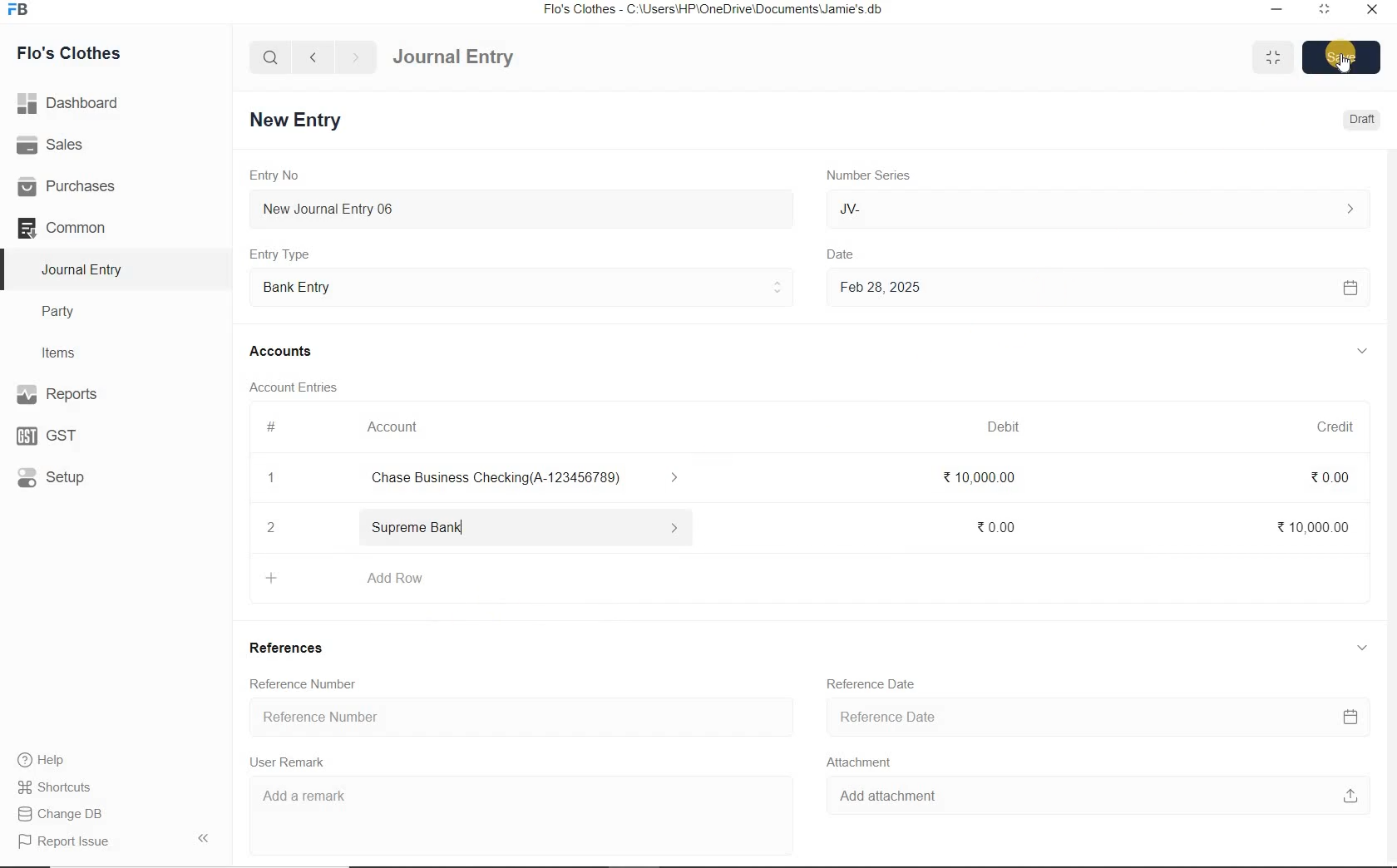  What do you see at coordinates (203, 837) in the screenshot?
I see `Collpase` at bounding box center [203, 837].